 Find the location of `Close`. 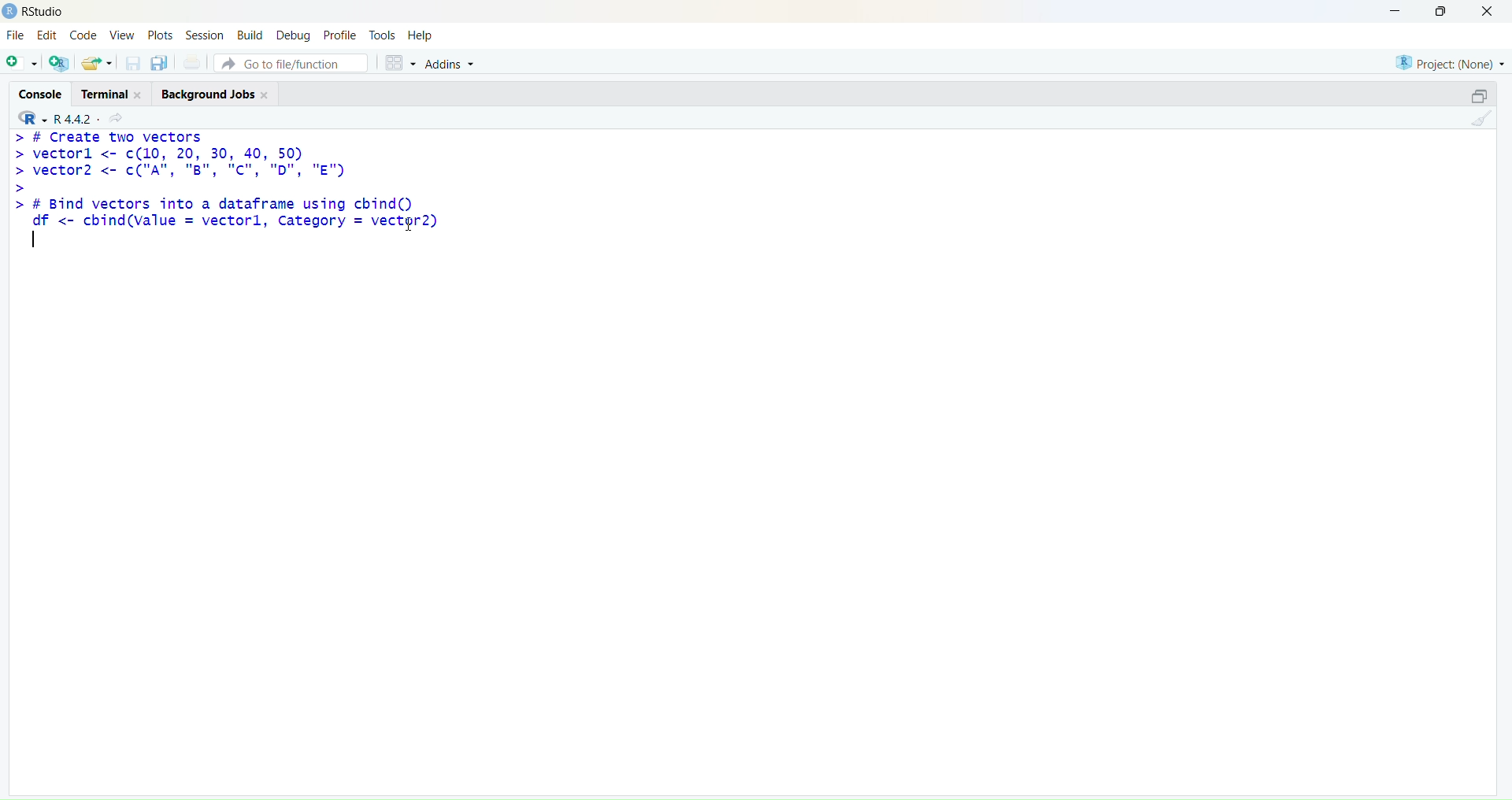

Close is located at coordinates (1488, 13).